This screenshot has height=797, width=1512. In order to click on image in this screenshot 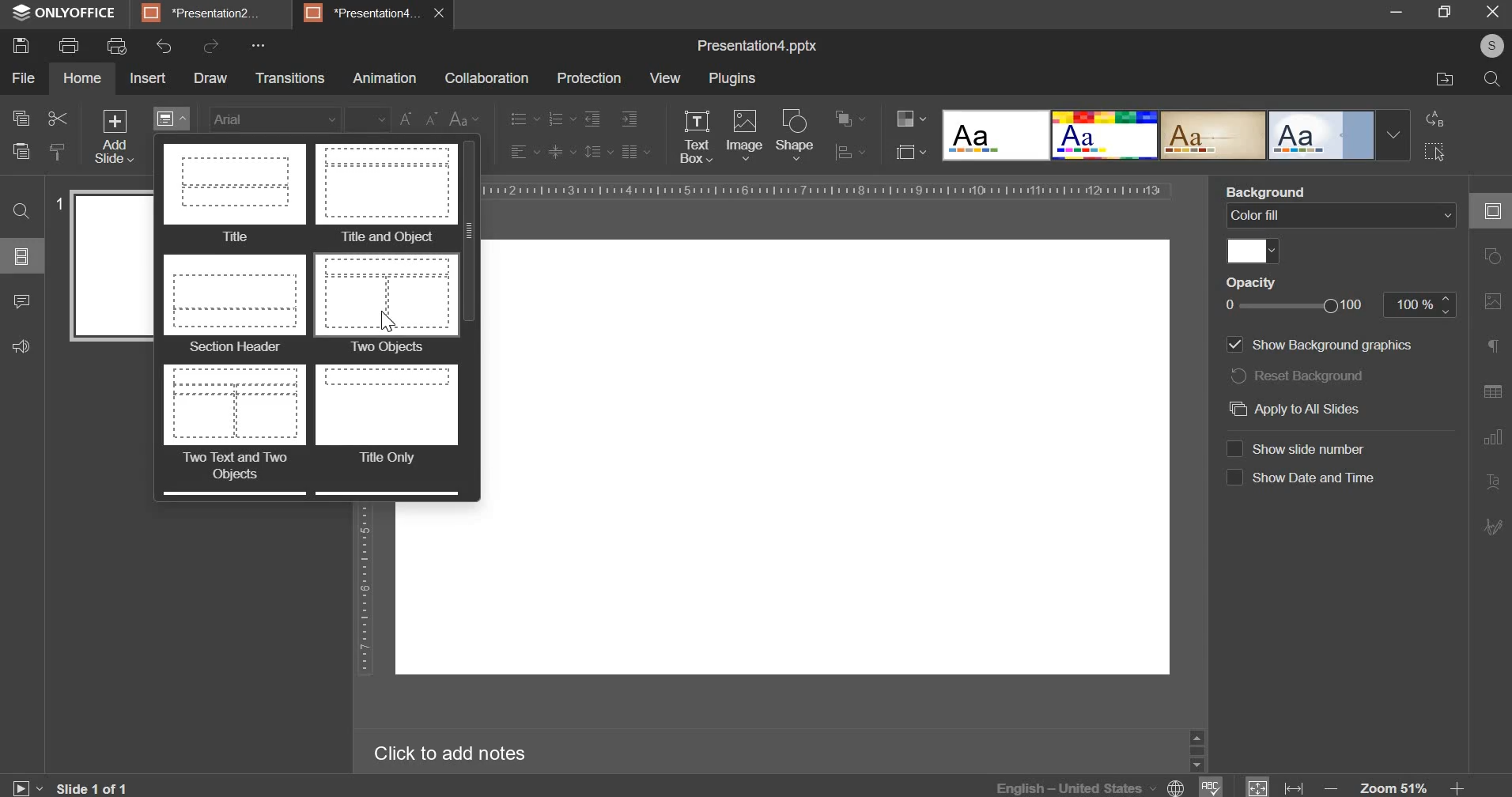, I will do `click(745, 136)`.